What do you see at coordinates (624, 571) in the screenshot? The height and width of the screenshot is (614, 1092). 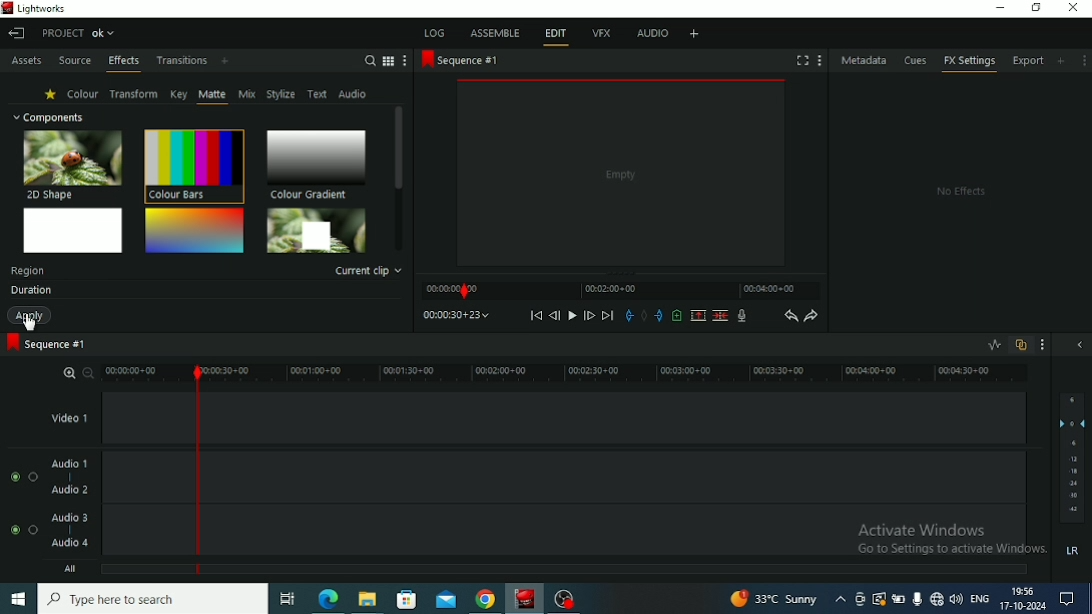 I see `All` at bounding box center [624, 571].